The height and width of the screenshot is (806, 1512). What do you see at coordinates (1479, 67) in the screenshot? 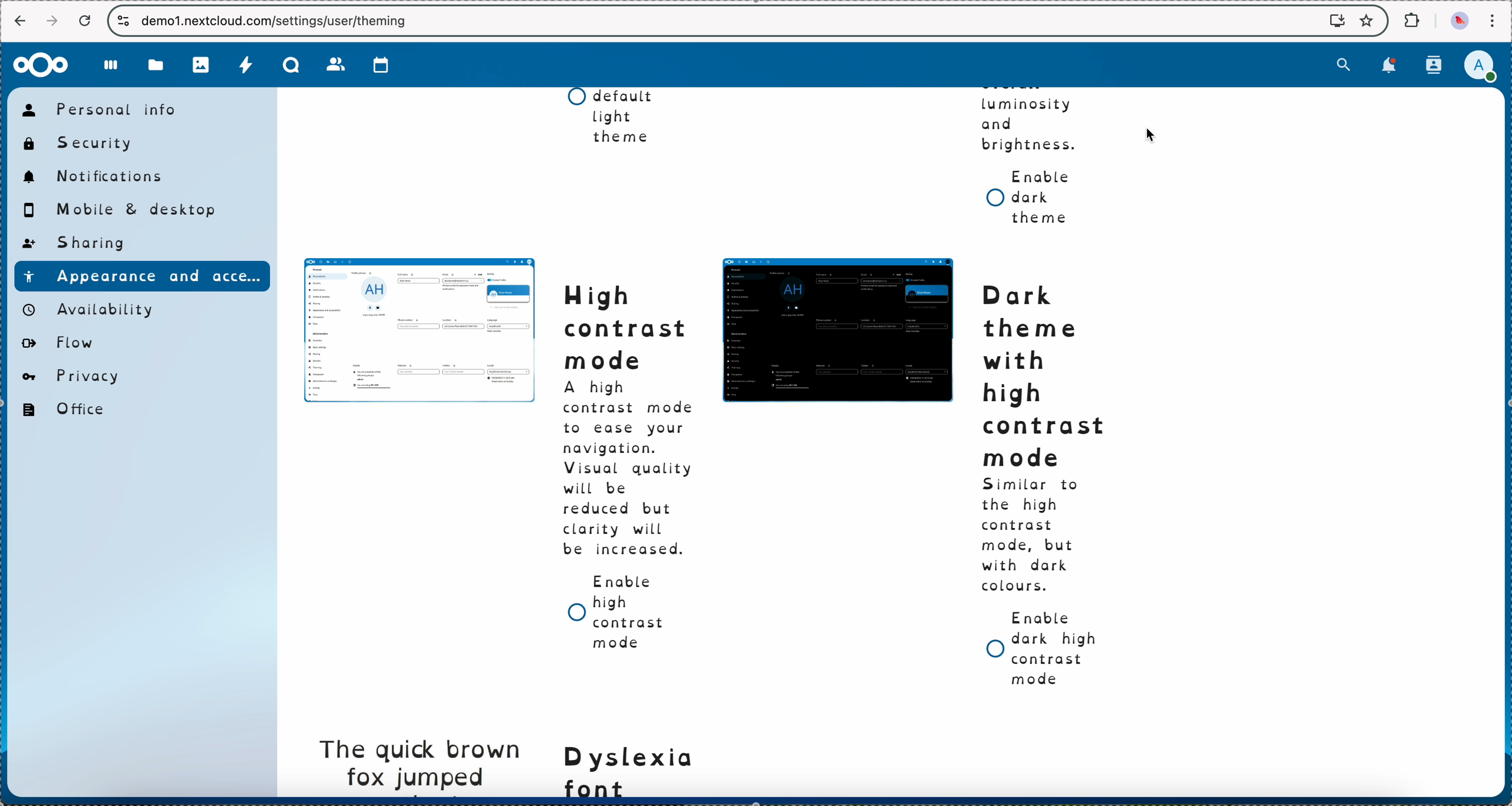
I see `click on user profile` at bounding box center [1479, 67].